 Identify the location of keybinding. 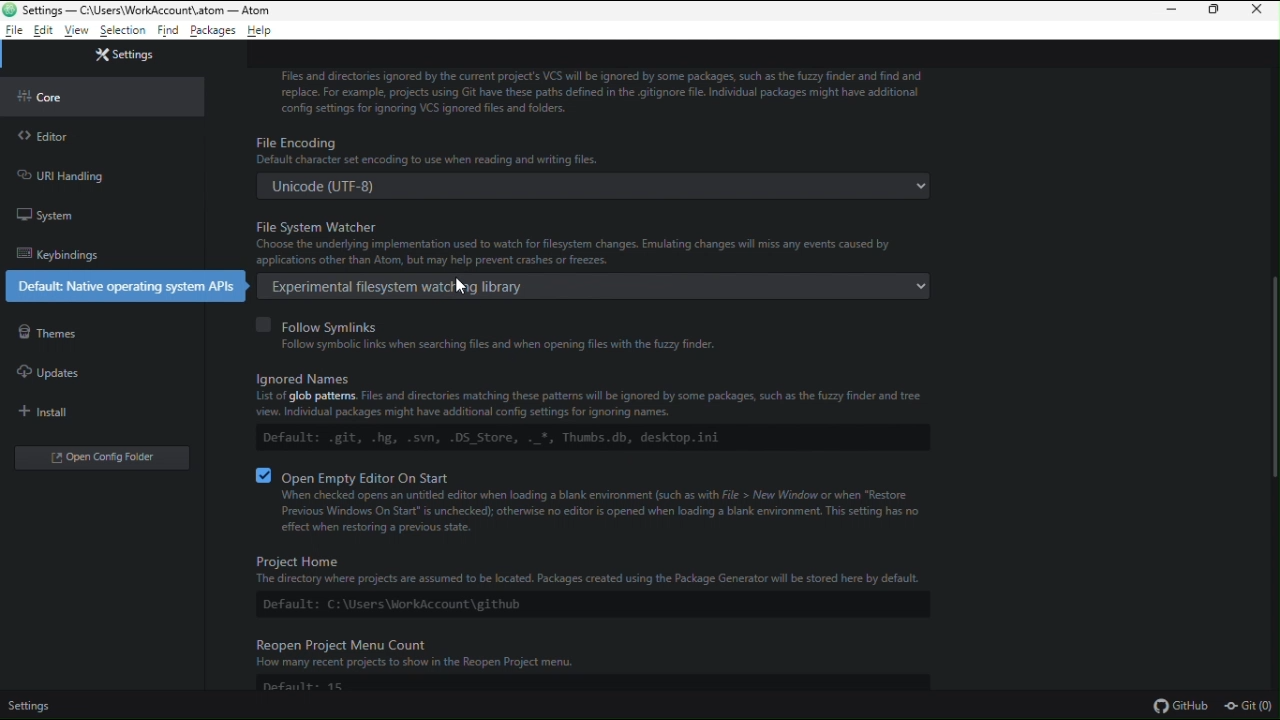
(56, 253).